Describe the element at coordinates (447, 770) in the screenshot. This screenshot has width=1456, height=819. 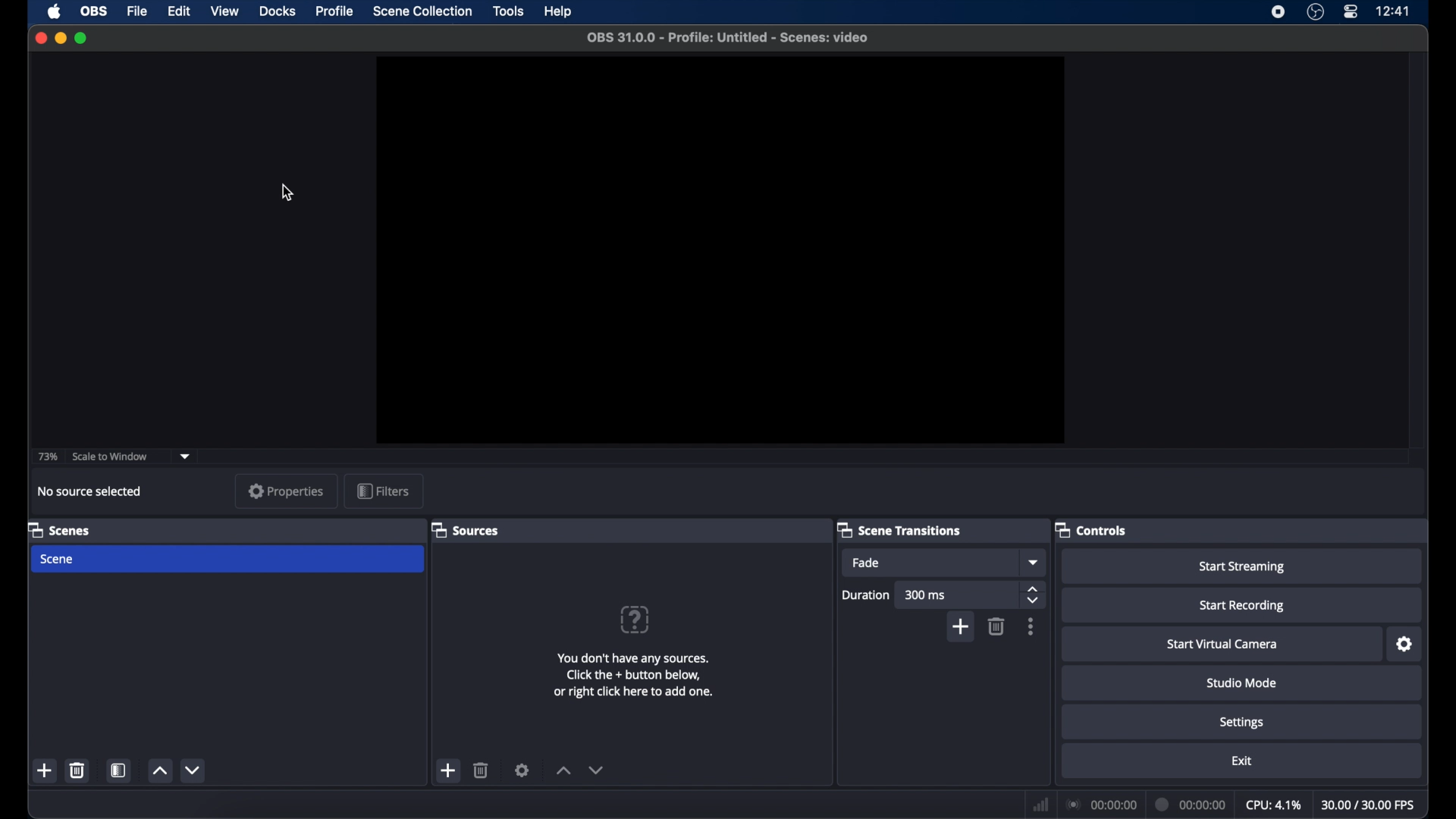
I see `add` at that location.